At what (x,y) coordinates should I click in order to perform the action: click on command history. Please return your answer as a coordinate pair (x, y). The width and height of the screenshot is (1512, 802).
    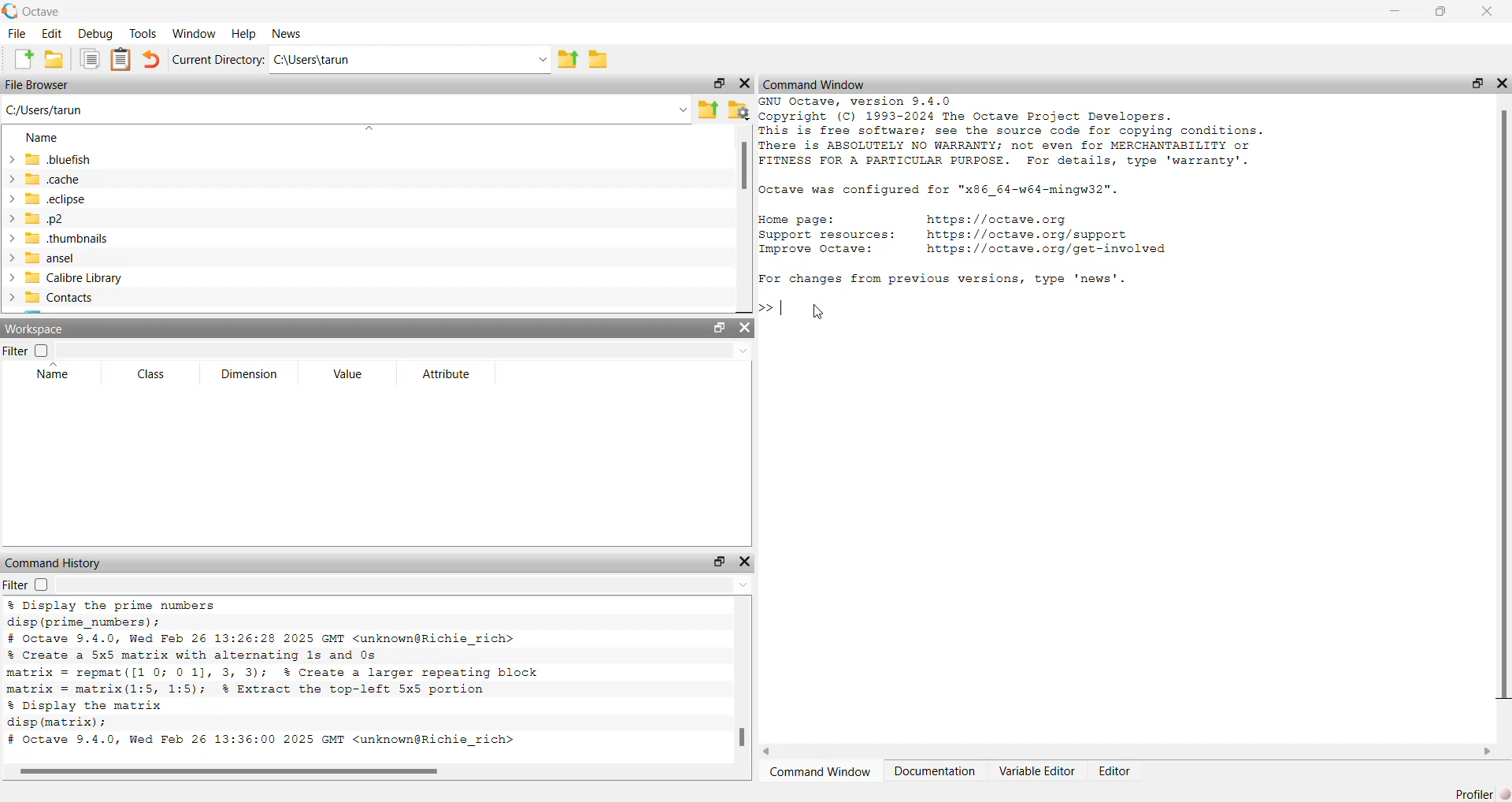
    Looking at the image, I should click on (54, 563).